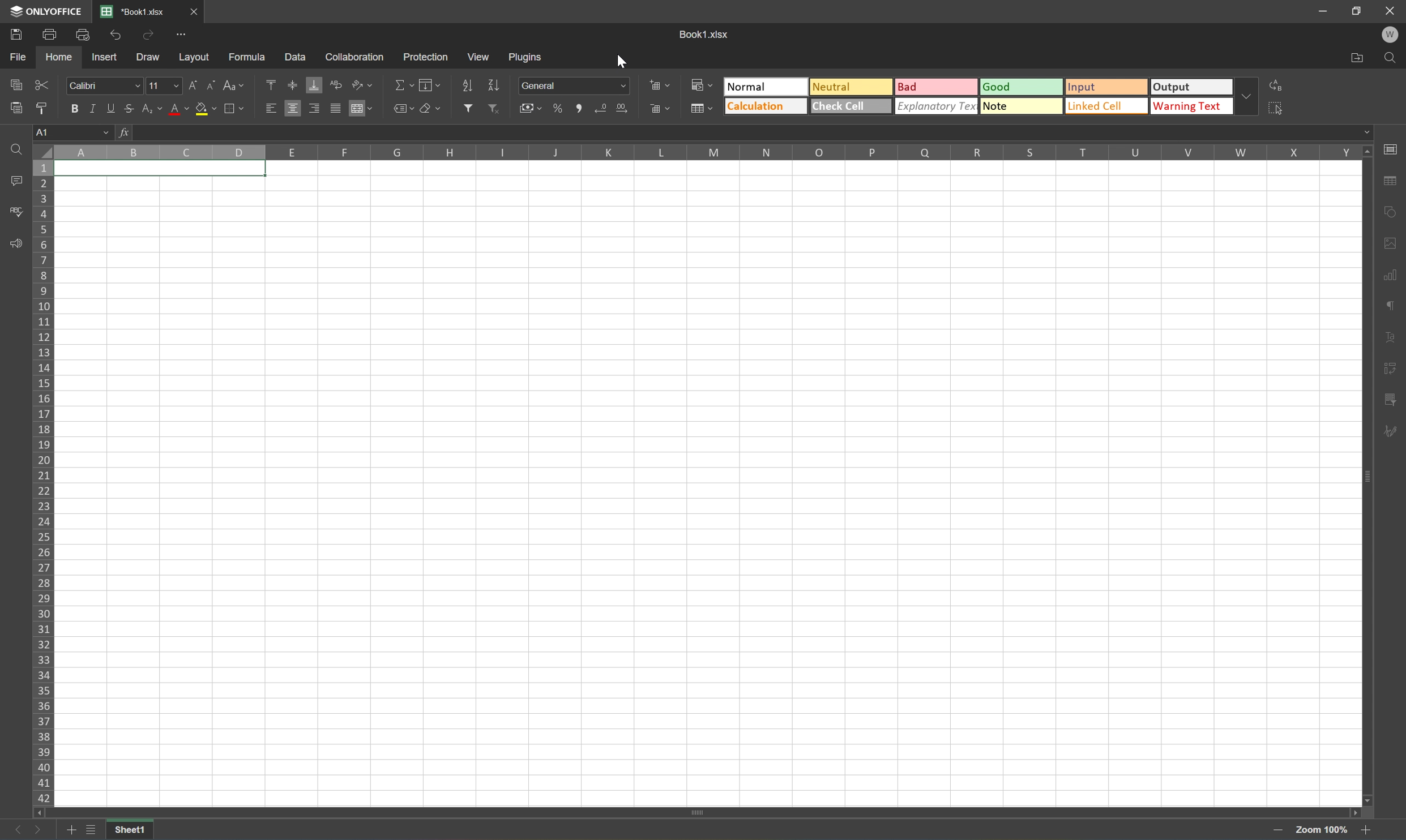  I want to click on Decrease decimal, so click(604, 108).